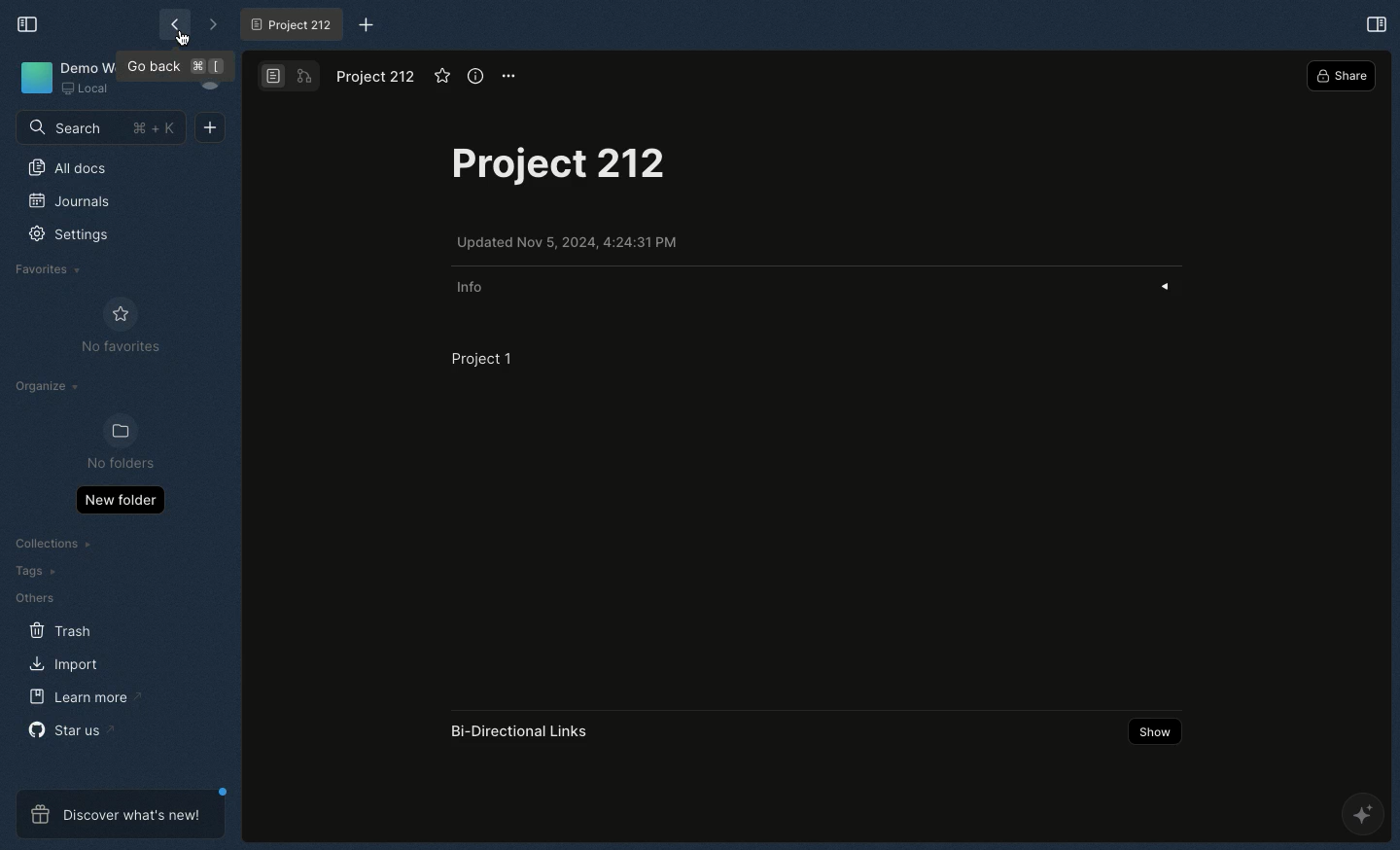  Describe the element at coordinates (60, 661) in the screenshot. I see `Import` at that location.